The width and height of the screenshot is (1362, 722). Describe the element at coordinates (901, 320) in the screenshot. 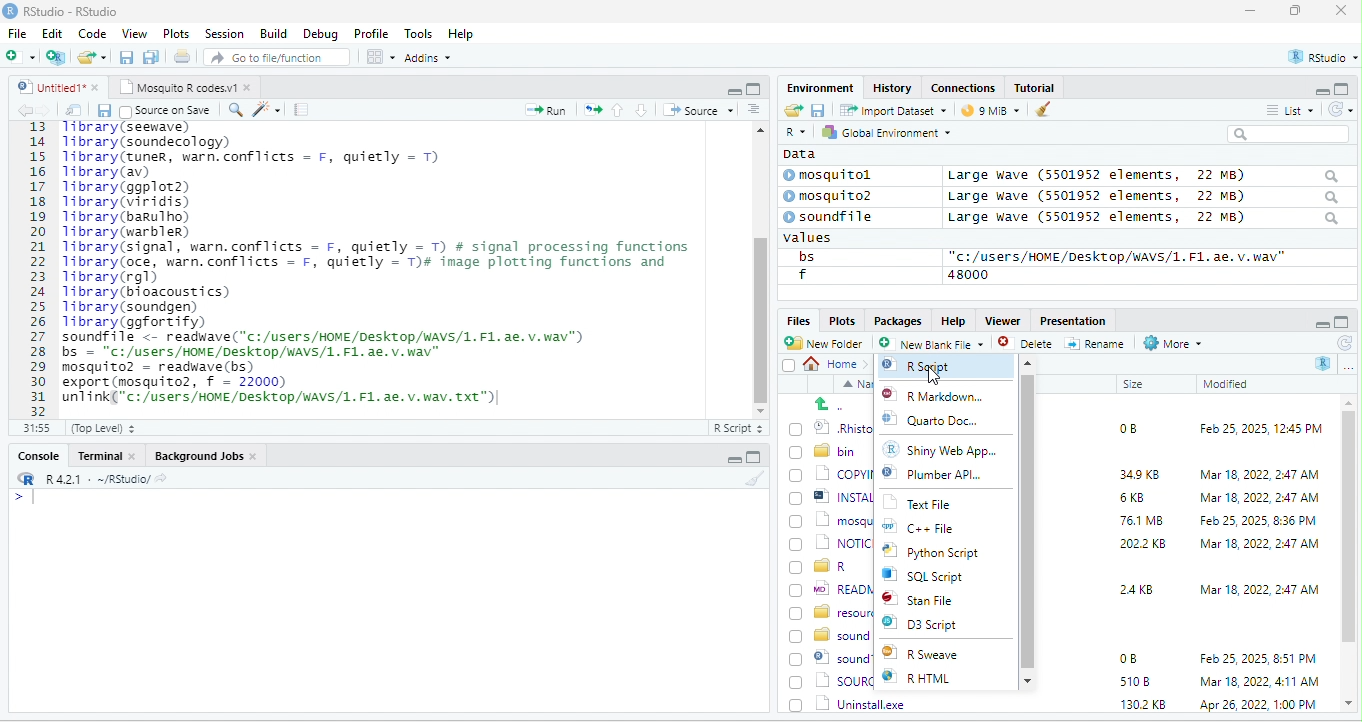

I see `Packages` at that location.